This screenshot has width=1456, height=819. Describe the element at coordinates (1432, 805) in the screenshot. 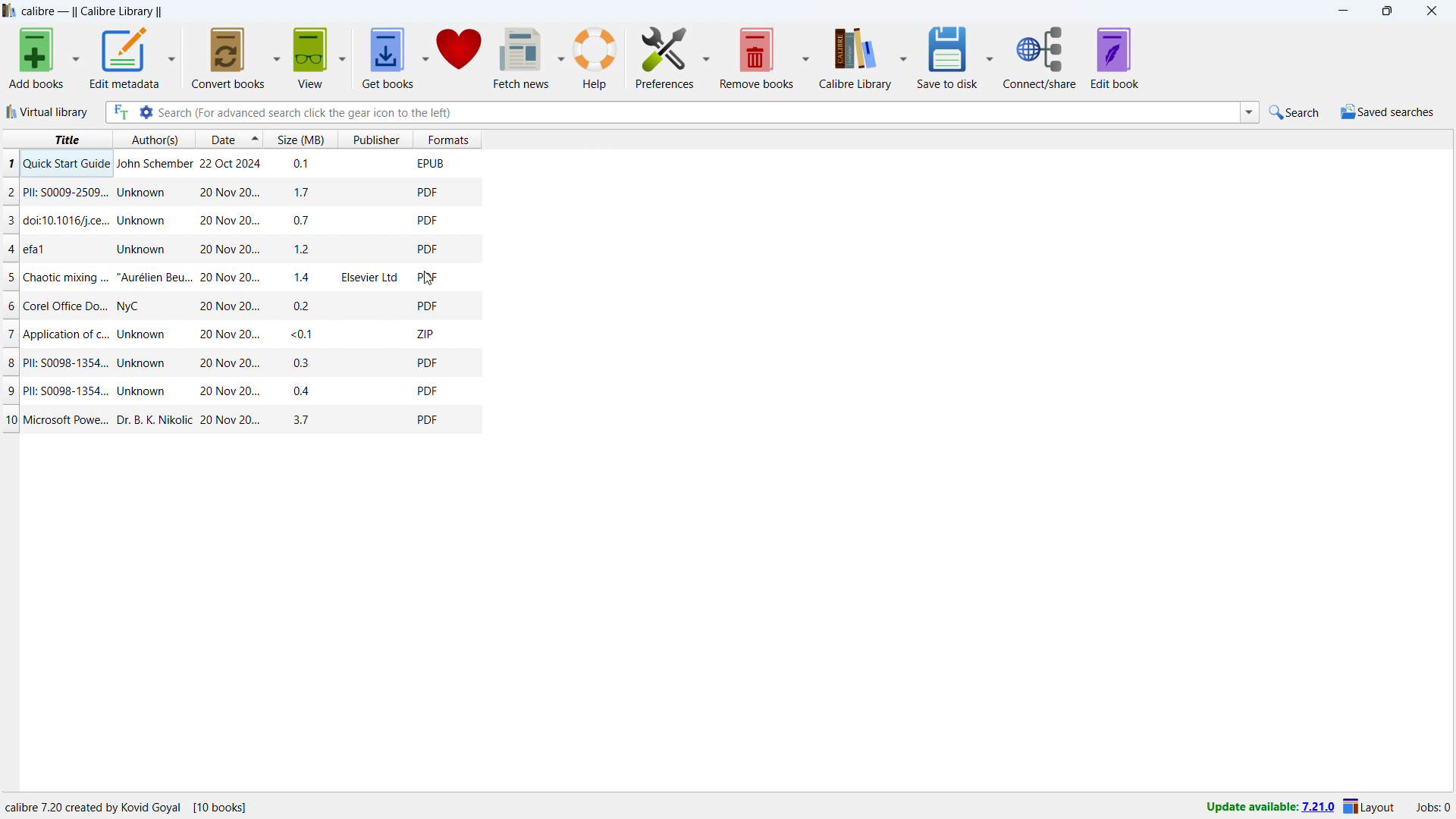

I see `active jobs` at that location.